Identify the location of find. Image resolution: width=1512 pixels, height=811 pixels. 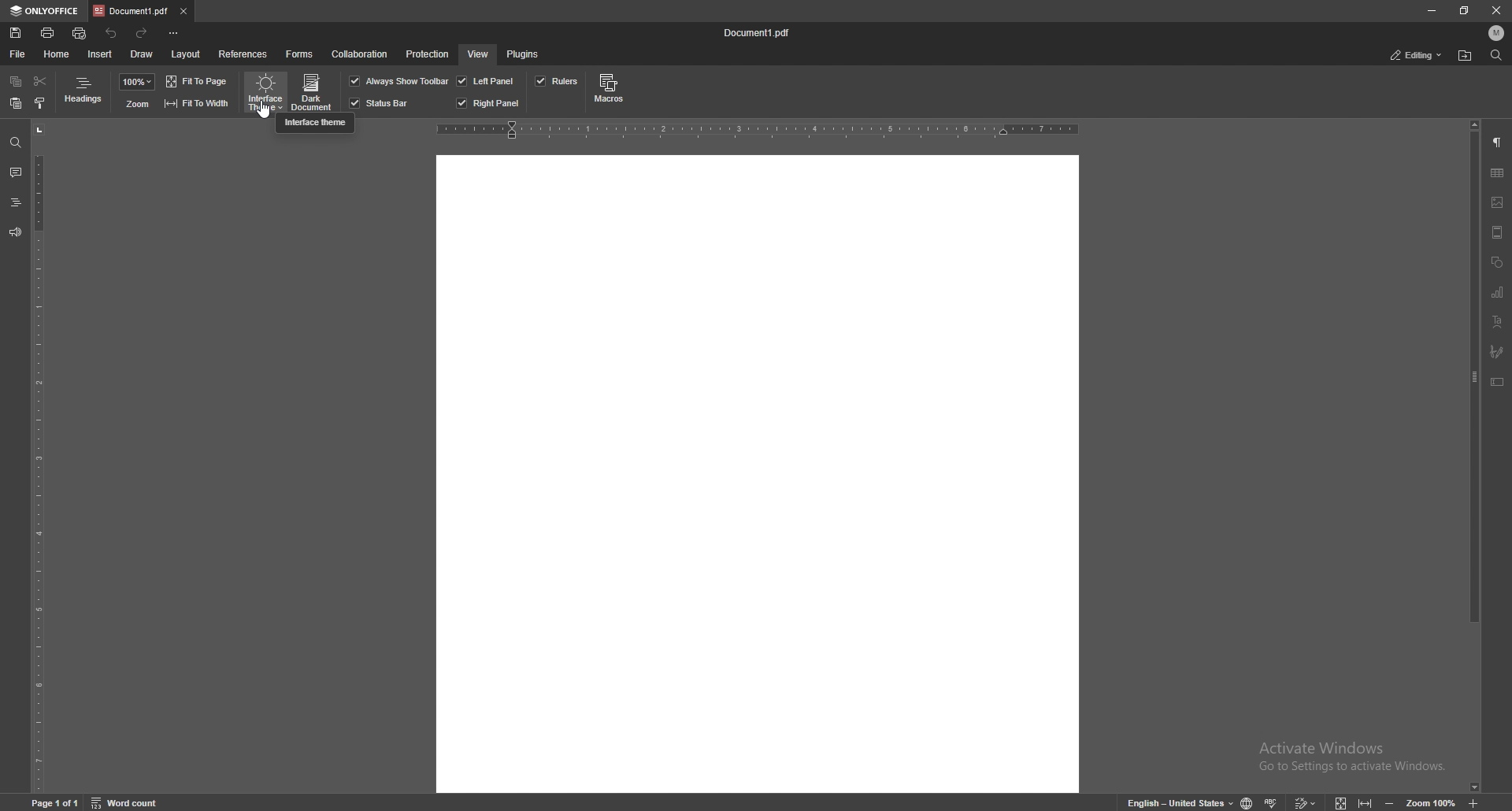
(1496, 55).